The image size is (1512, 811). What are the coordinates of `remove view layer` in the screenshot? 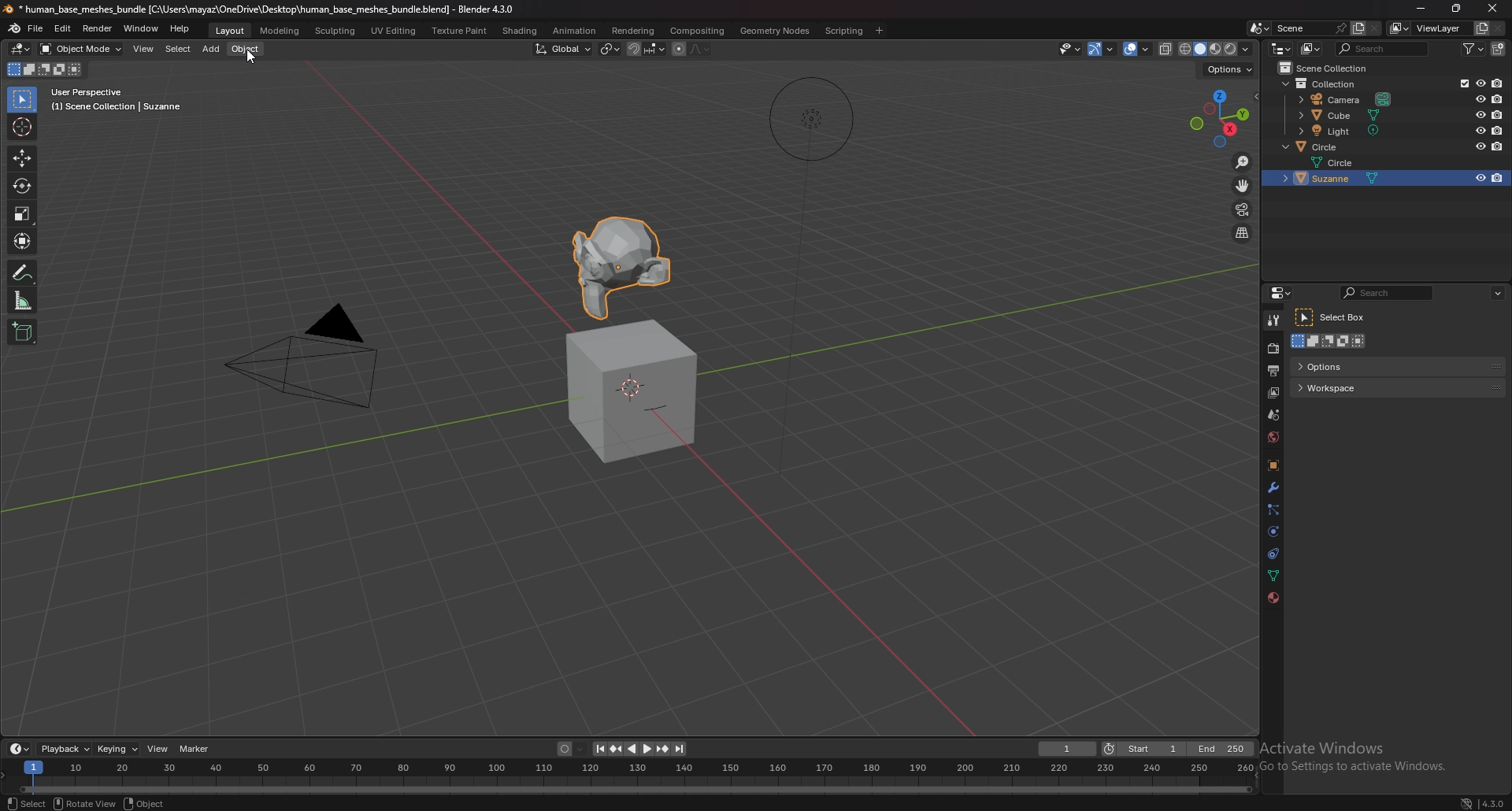 It's located at (1499, 28).